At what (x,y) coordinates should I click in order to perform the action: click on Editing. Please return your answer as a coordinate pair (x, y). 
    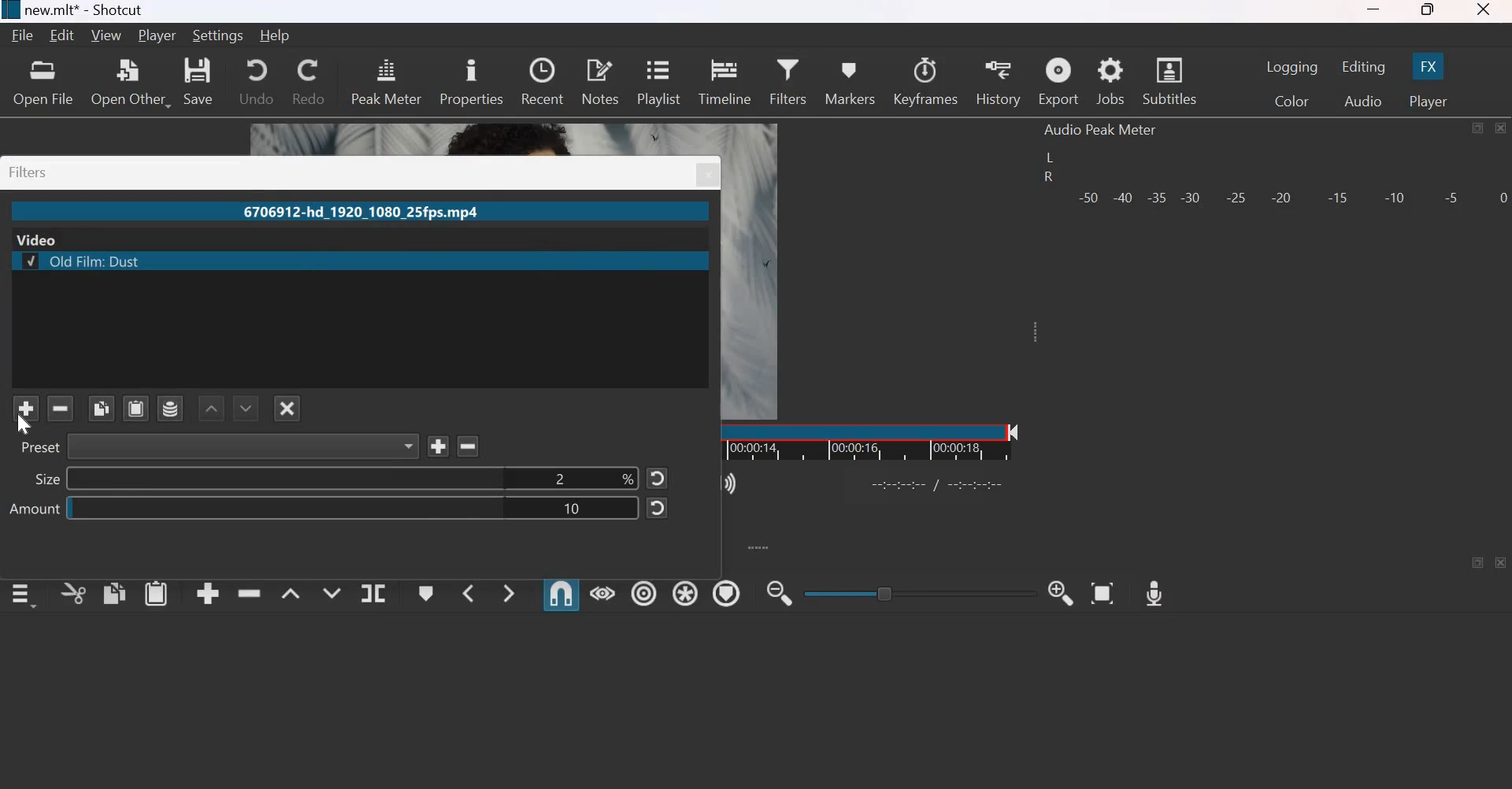
    Looking at the image, I should click on (1362, 67).